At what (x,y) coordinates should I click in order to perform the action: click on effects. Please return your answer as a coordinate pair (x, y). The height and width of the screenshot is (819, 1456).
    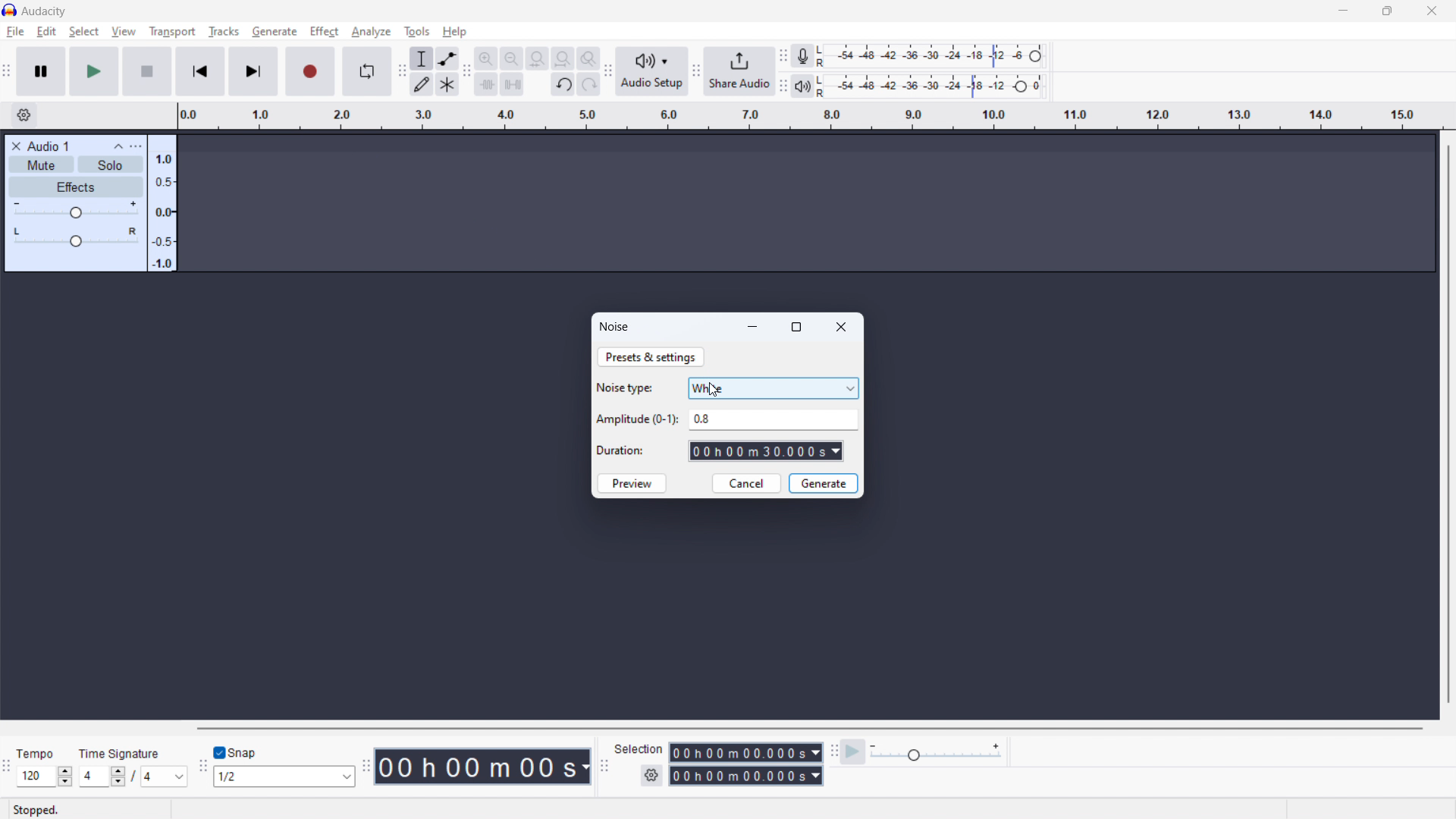
    Looking at the image, I should click on (75, 186).